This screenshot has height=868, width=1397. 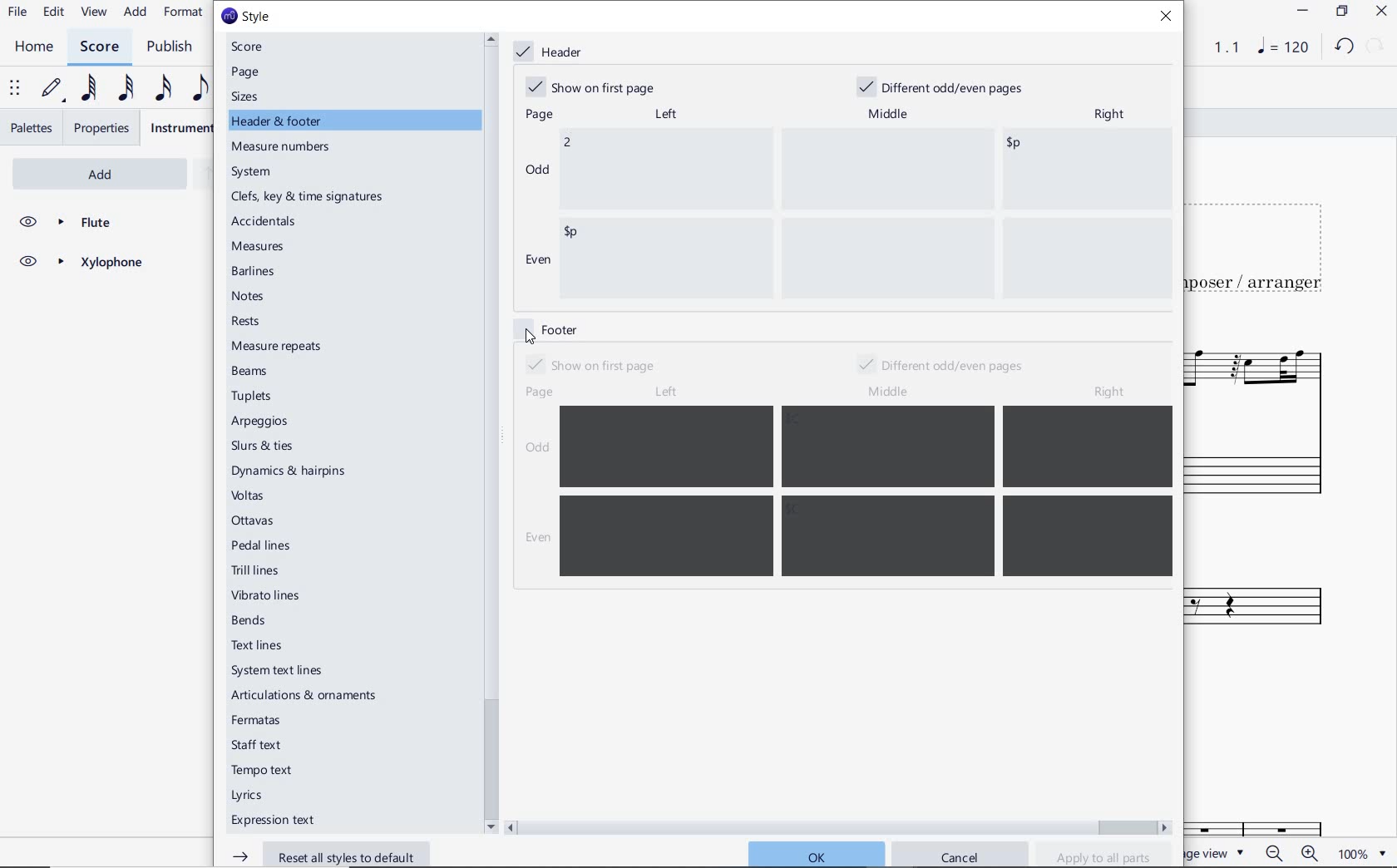 I want to click on Fl., so click(x=1281, y=806).